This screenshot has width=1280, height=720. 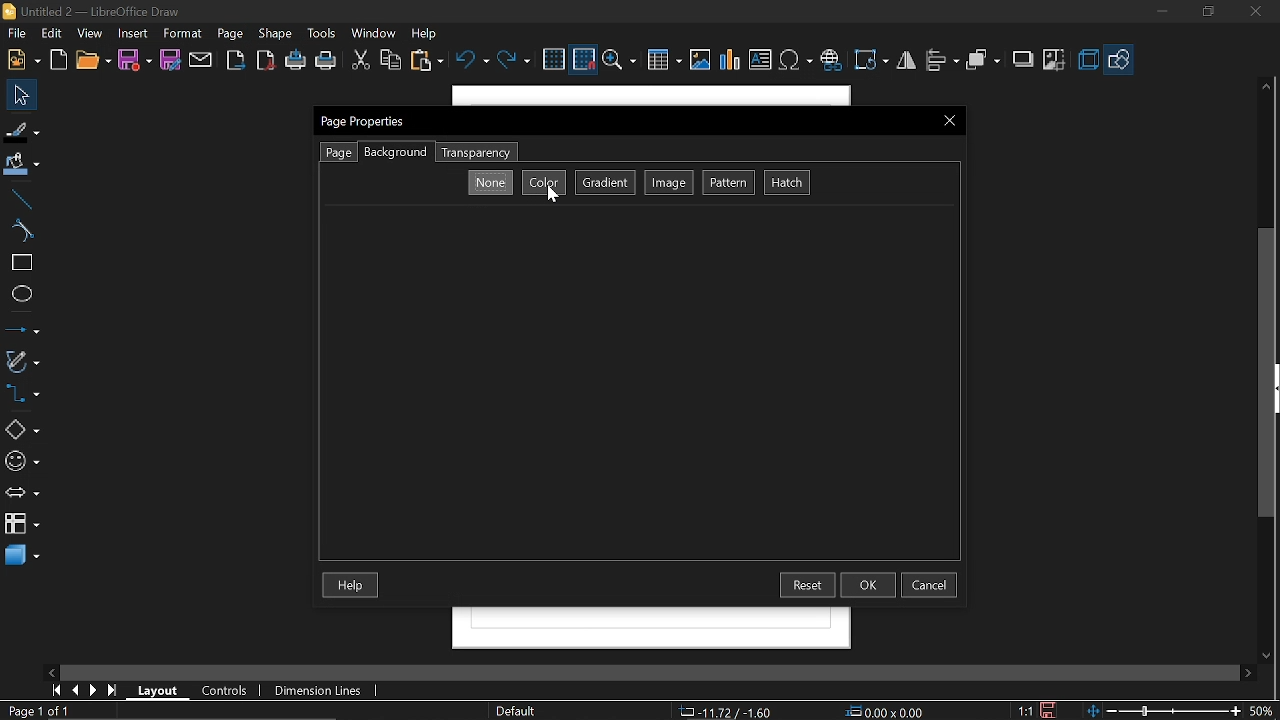 What do you see at coordinates (296, 62) in the screenshot?
I see `Print directly` at bounding box center [296, 62].